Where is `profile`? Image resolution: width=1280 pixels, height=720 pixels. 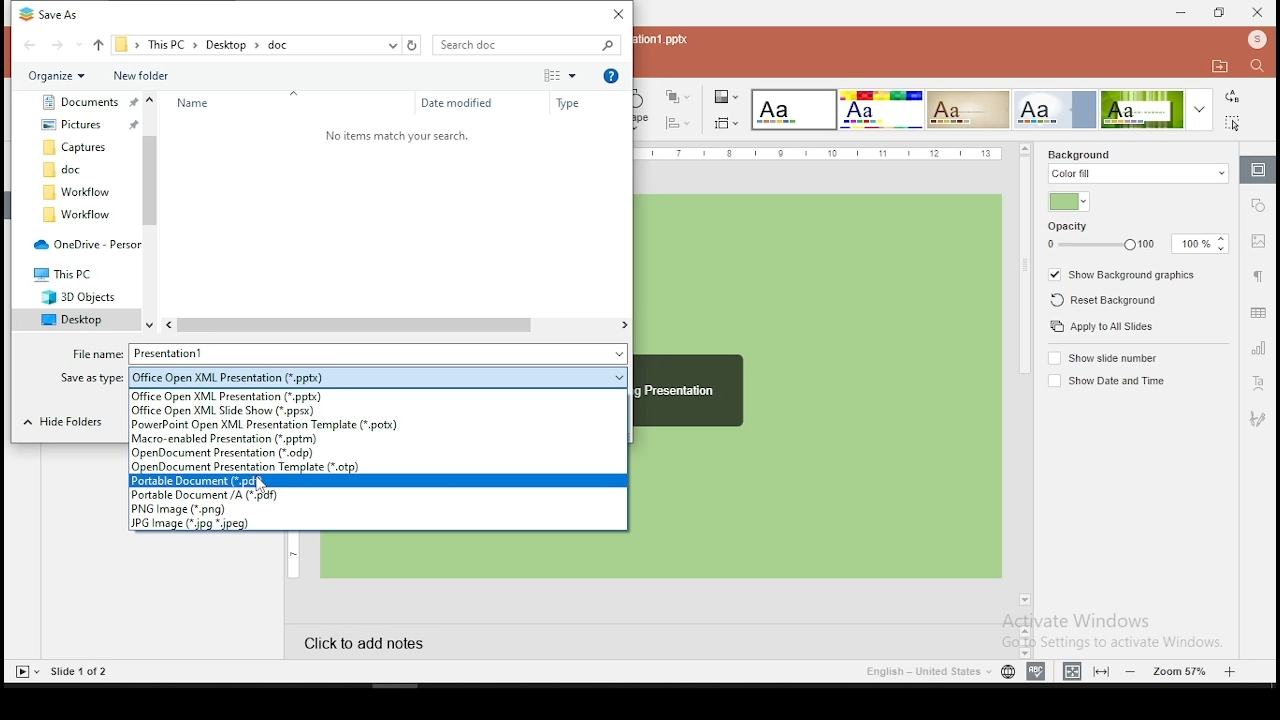
profile is located at coordinates (1258, 40).